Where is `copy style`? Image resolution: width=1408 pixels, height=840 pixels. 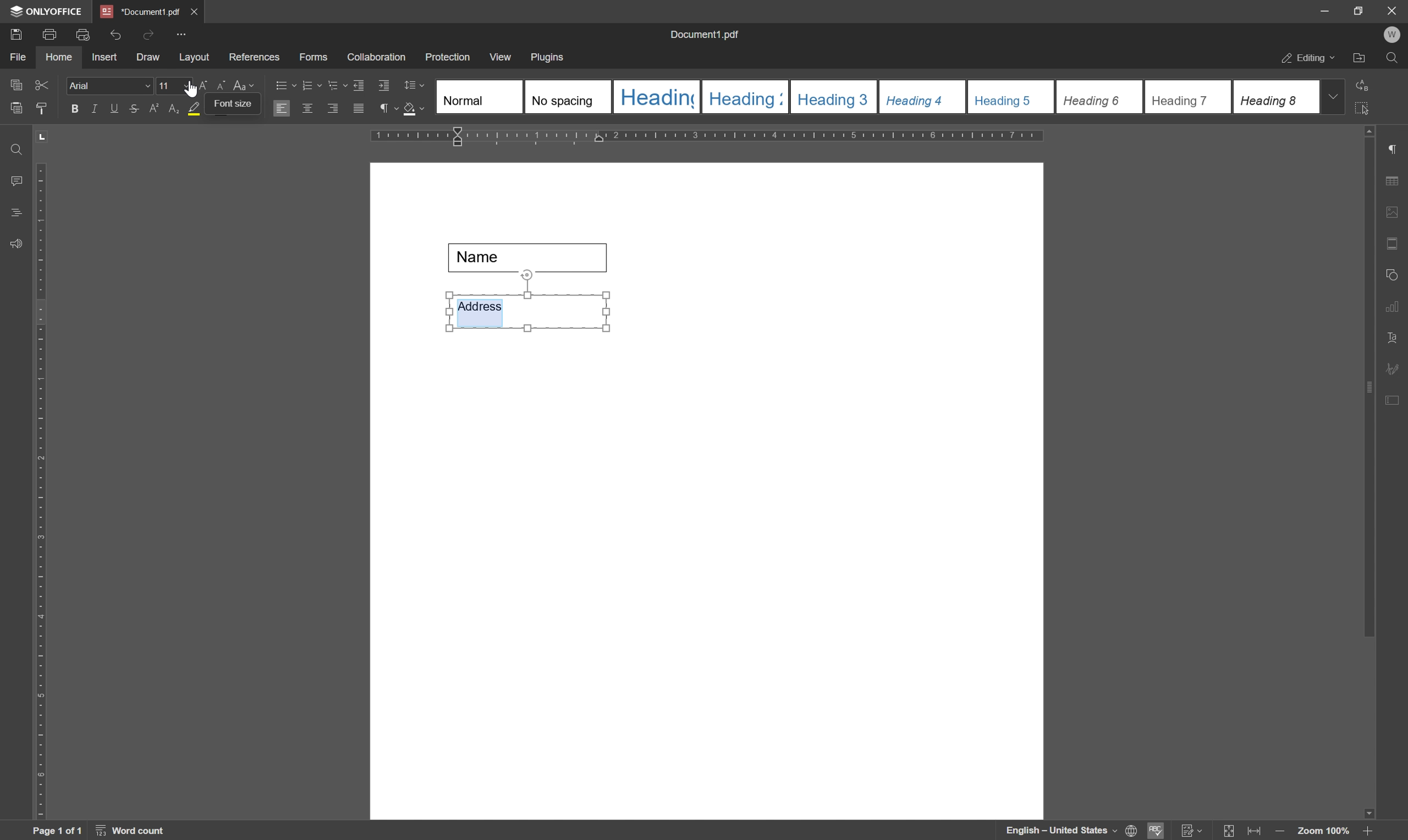 copy style is located at coordinates (42, 107).